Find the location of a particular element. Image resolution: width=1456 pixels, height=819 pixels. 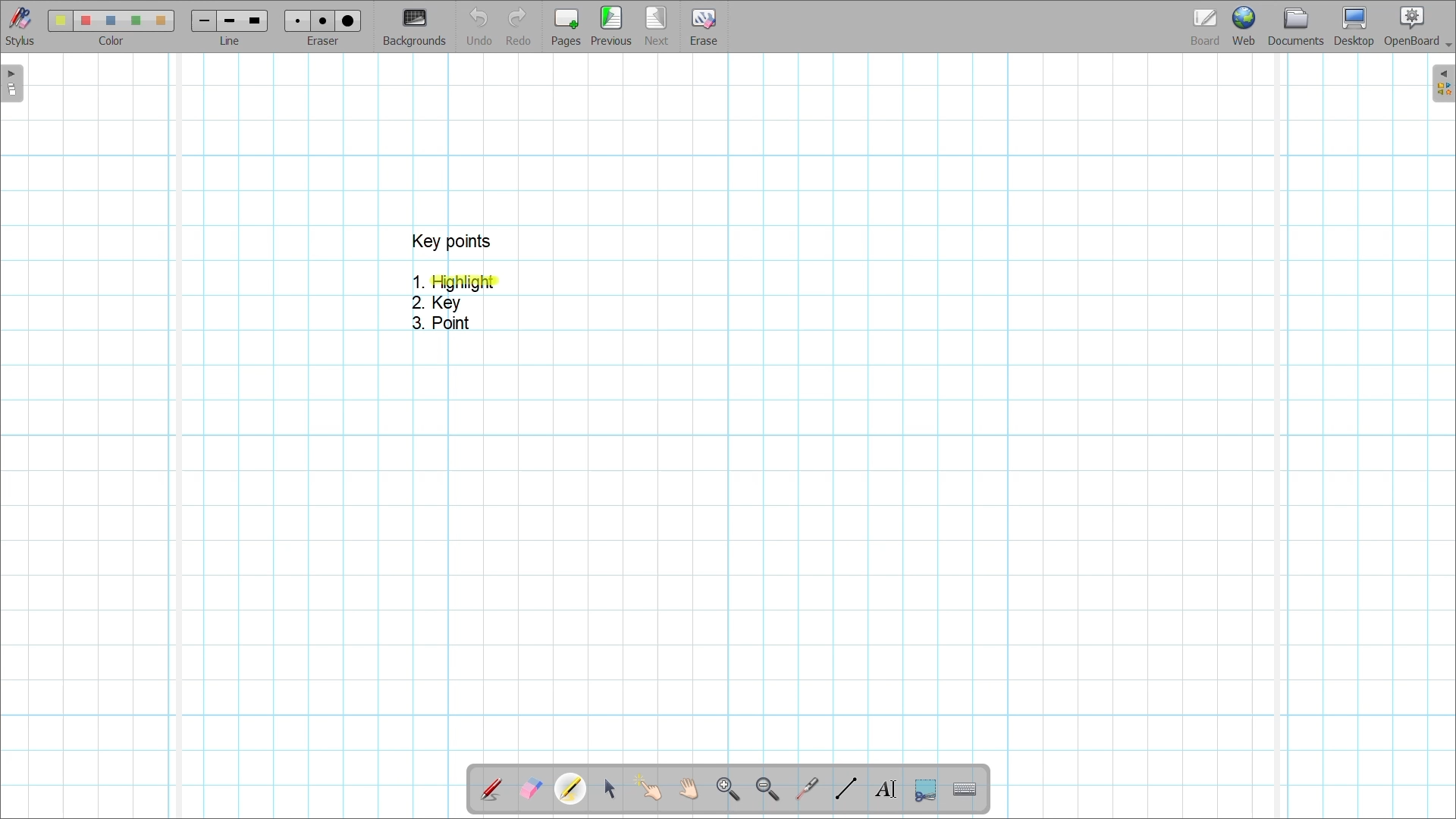

Documents is located at coordinates (1296, 27).